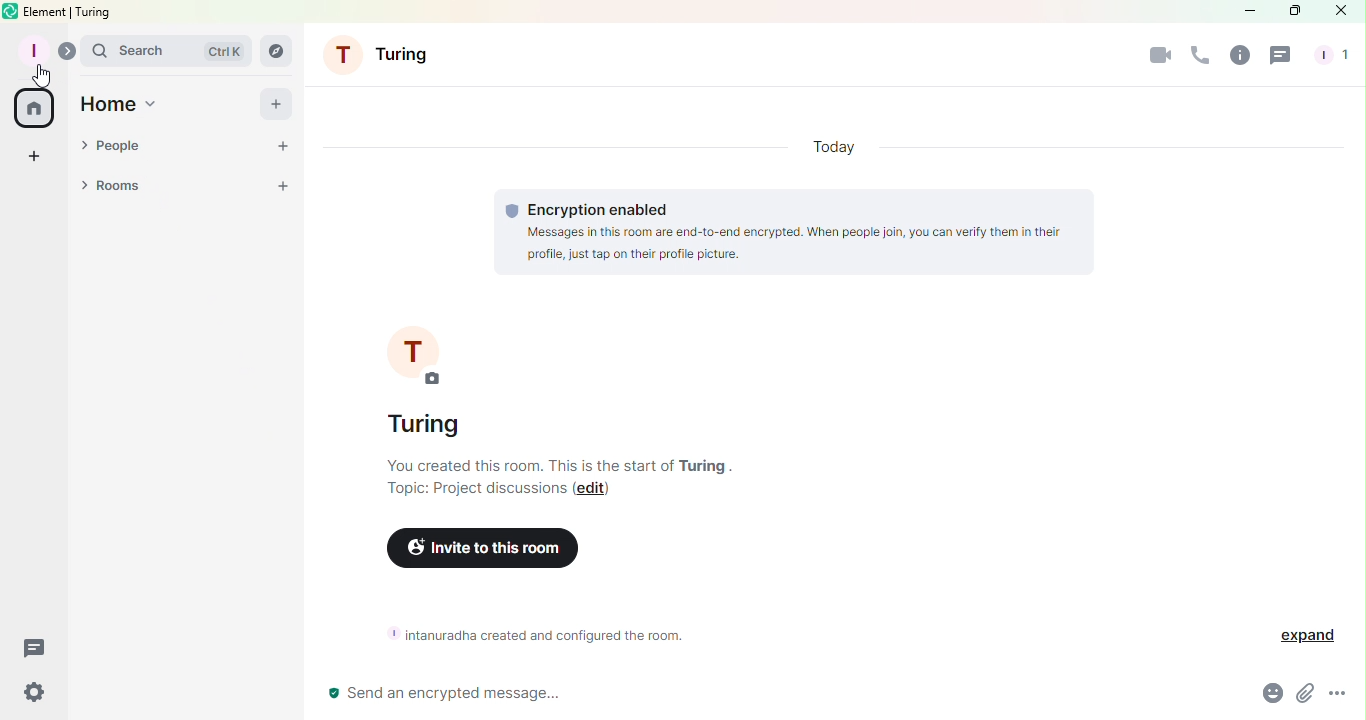 Image resolution: width=1366 pixels, height=720 pixels. What do you see at coordinates (1247, 11) in the screenshot?
I see `Minimize` at bounding box center [1247, 11].